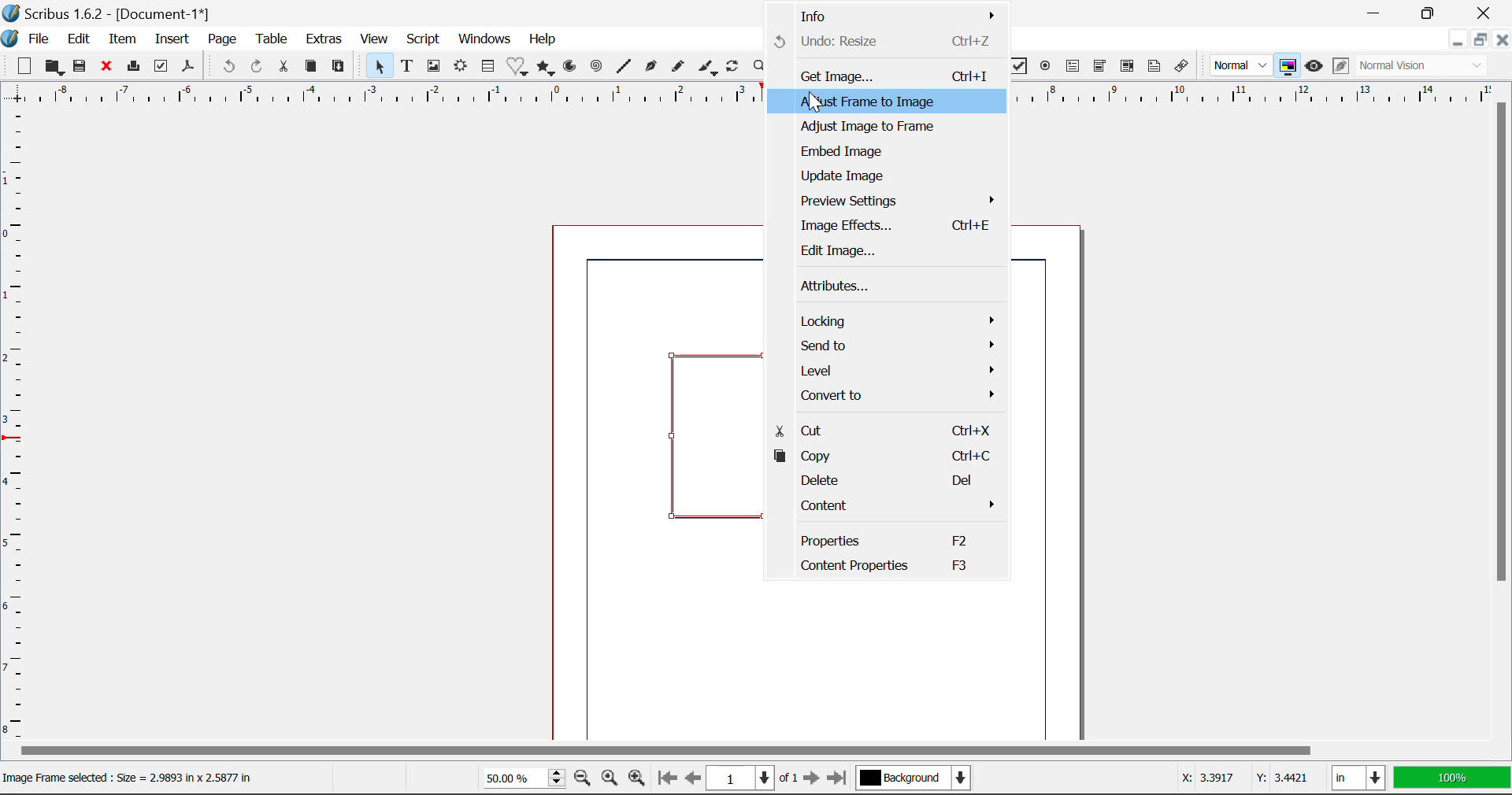 The height and width of the screenshot is (795, 1512). I want to click on Pdf Text Field, so click(1073, 68).